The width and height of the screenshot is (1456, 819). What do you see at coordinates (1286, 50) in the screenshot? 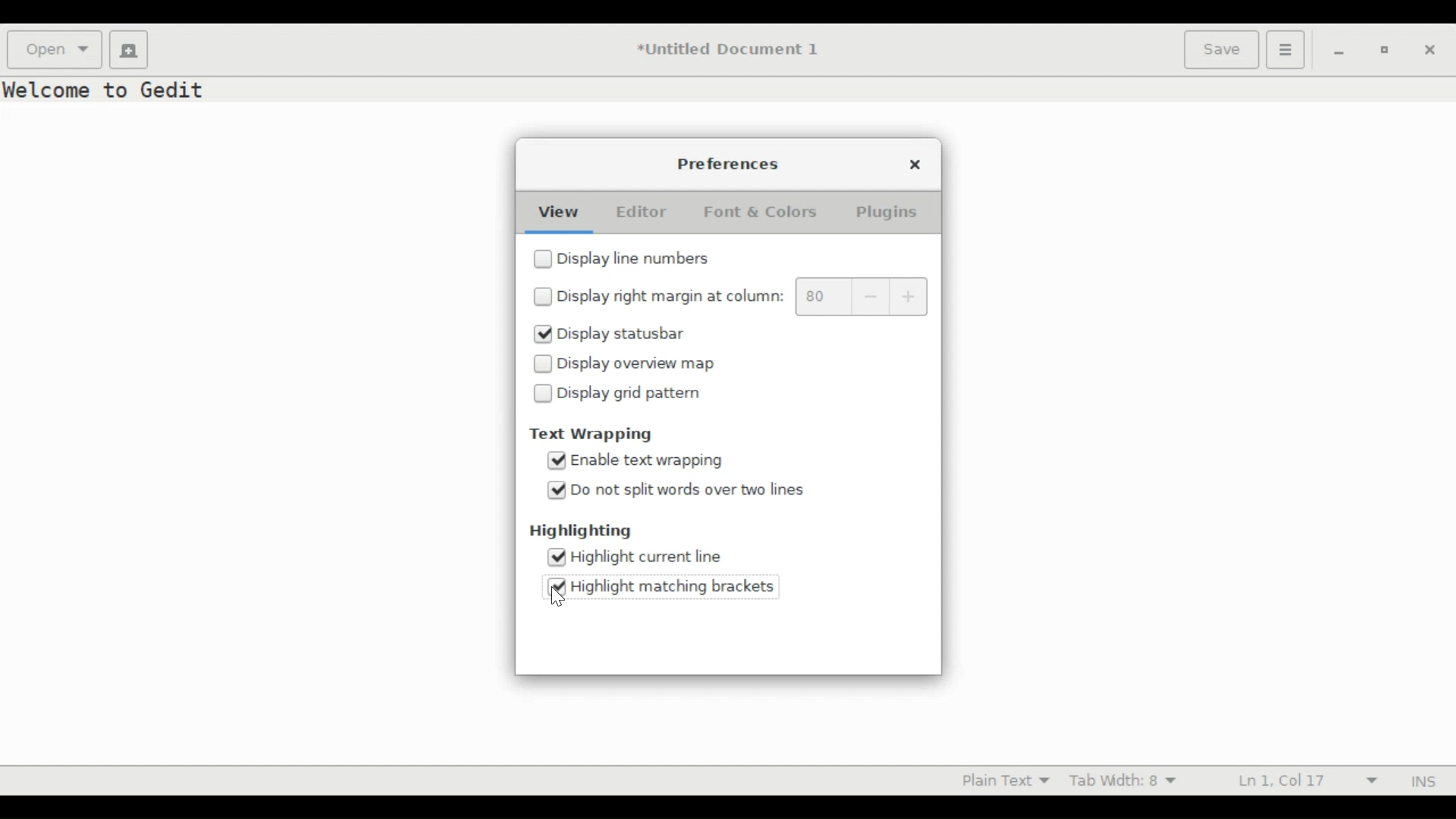
I see `Application menu` at bounding box center [1286, 50].